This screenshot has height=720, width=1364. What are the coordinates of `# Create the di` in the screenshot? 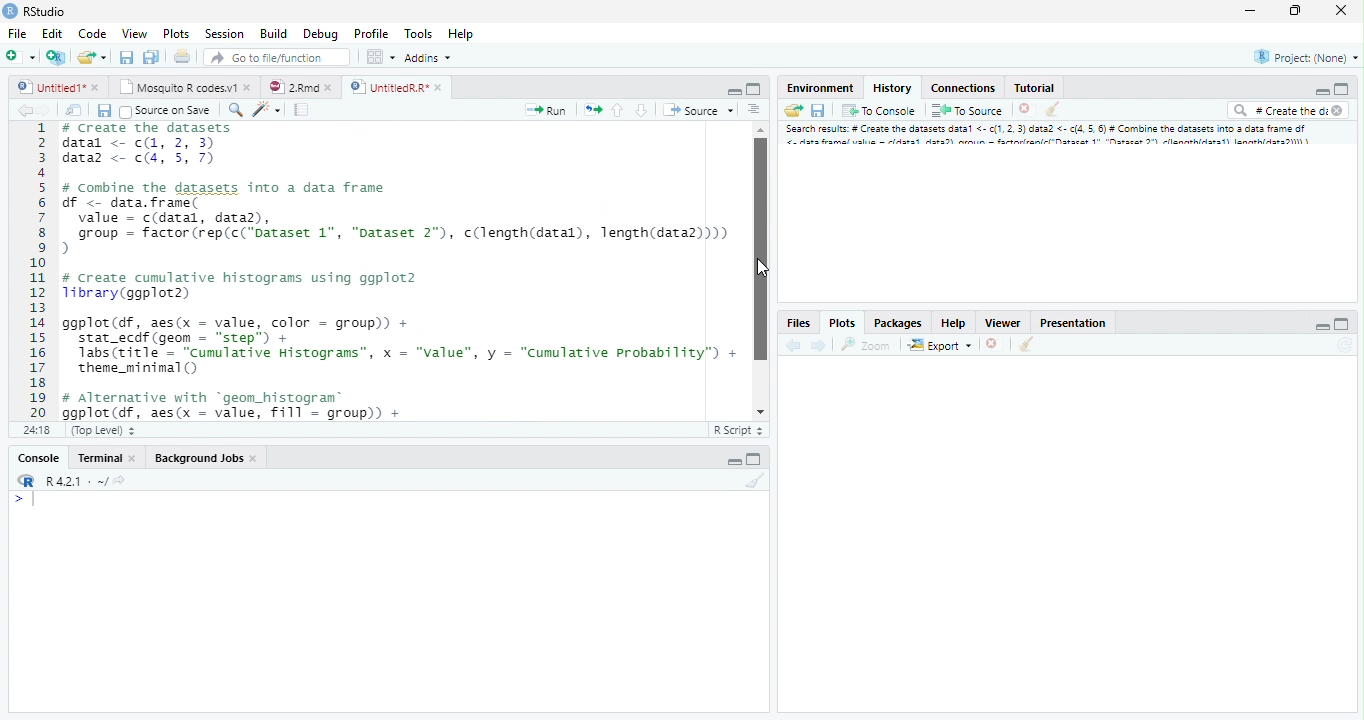 It's located at (1286, 112).